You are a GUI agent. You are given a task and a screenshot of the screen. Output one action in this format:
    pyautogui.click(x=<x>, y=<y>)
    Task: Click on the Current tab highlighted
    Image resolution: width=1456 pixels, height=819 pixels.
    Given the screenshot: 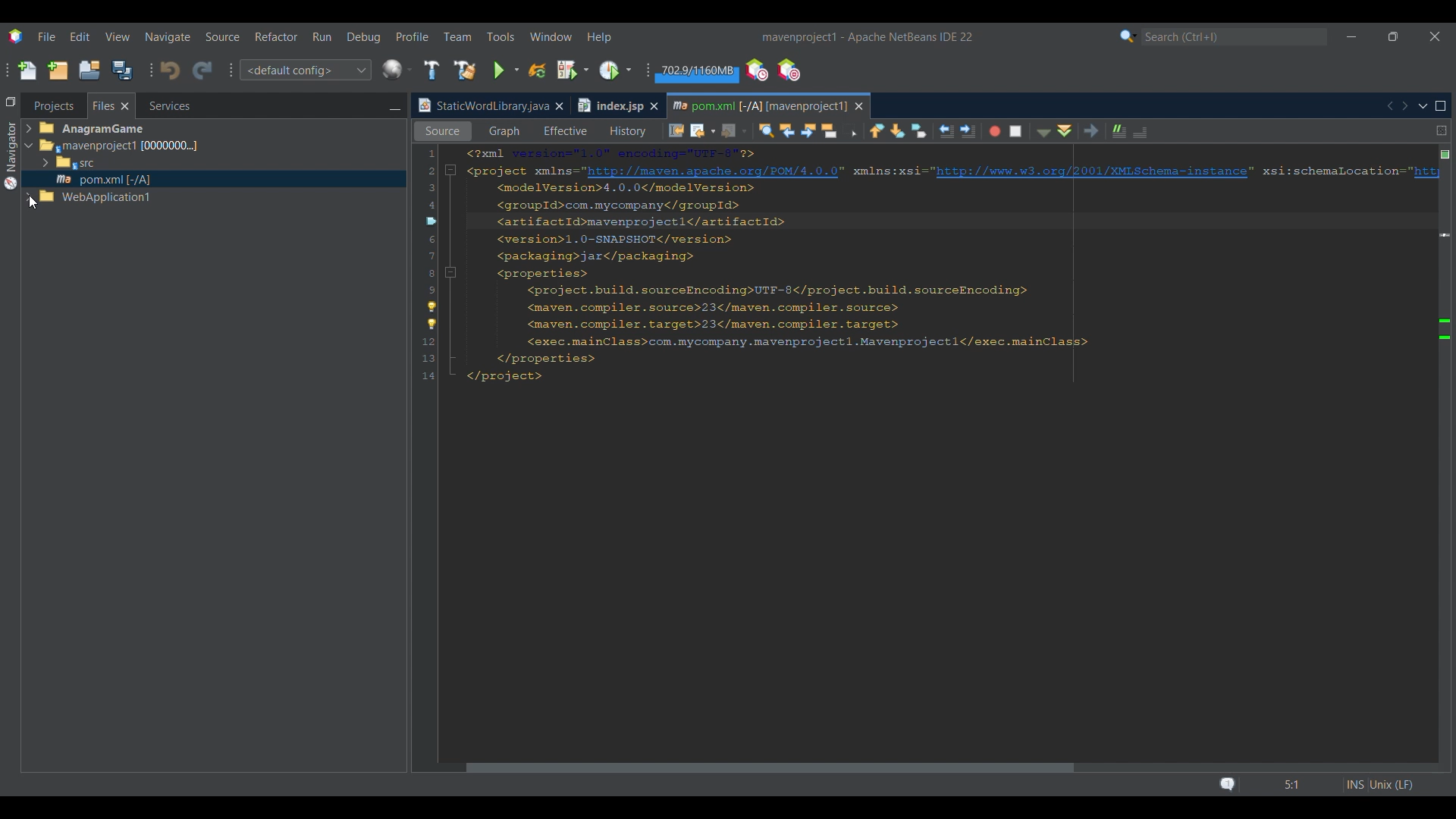 What is the action you would take?
    pyautogui.click(x=482, y=106)
    